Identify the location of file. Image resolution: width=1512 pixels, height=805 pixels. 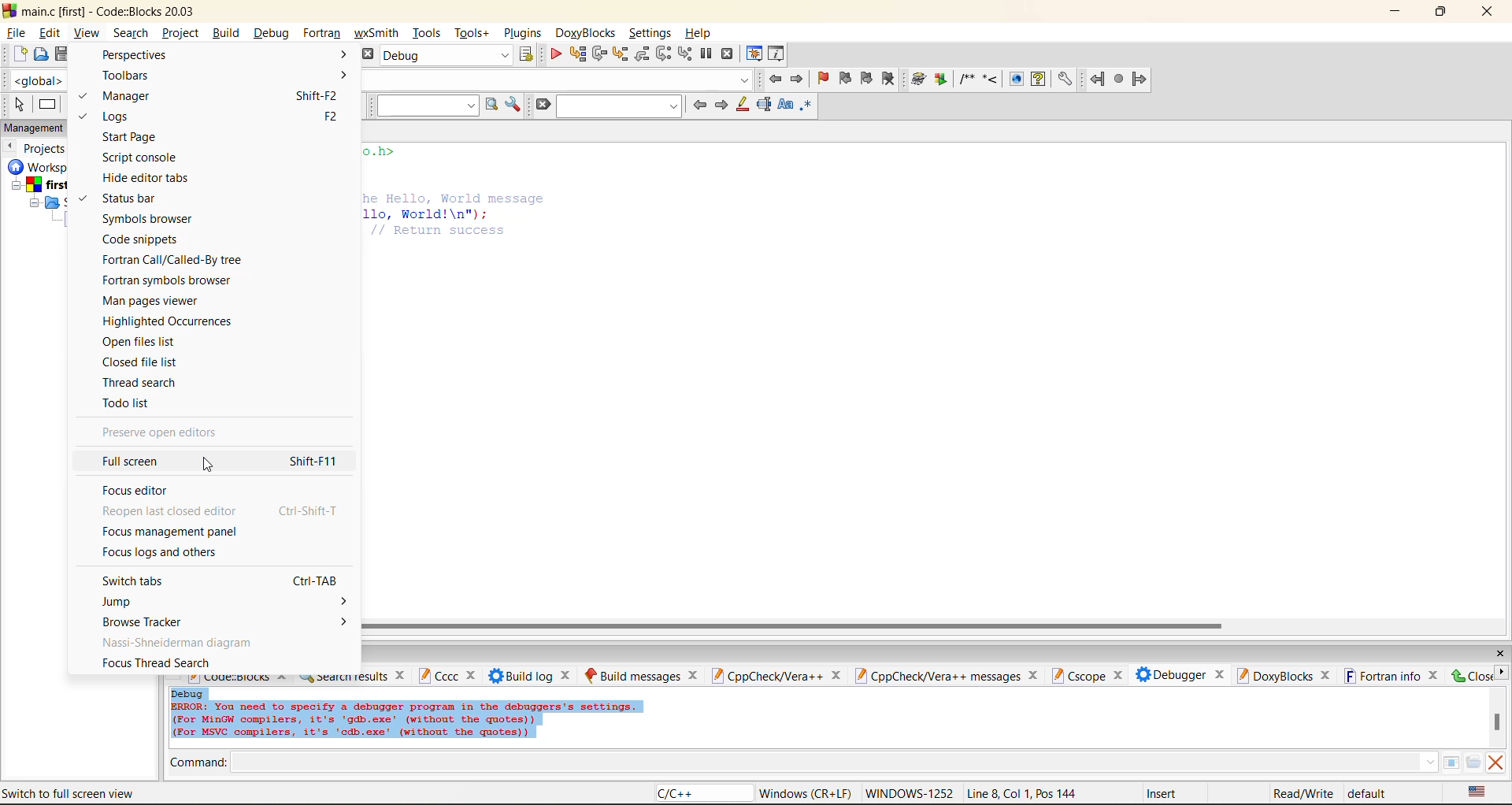
(17, 32).